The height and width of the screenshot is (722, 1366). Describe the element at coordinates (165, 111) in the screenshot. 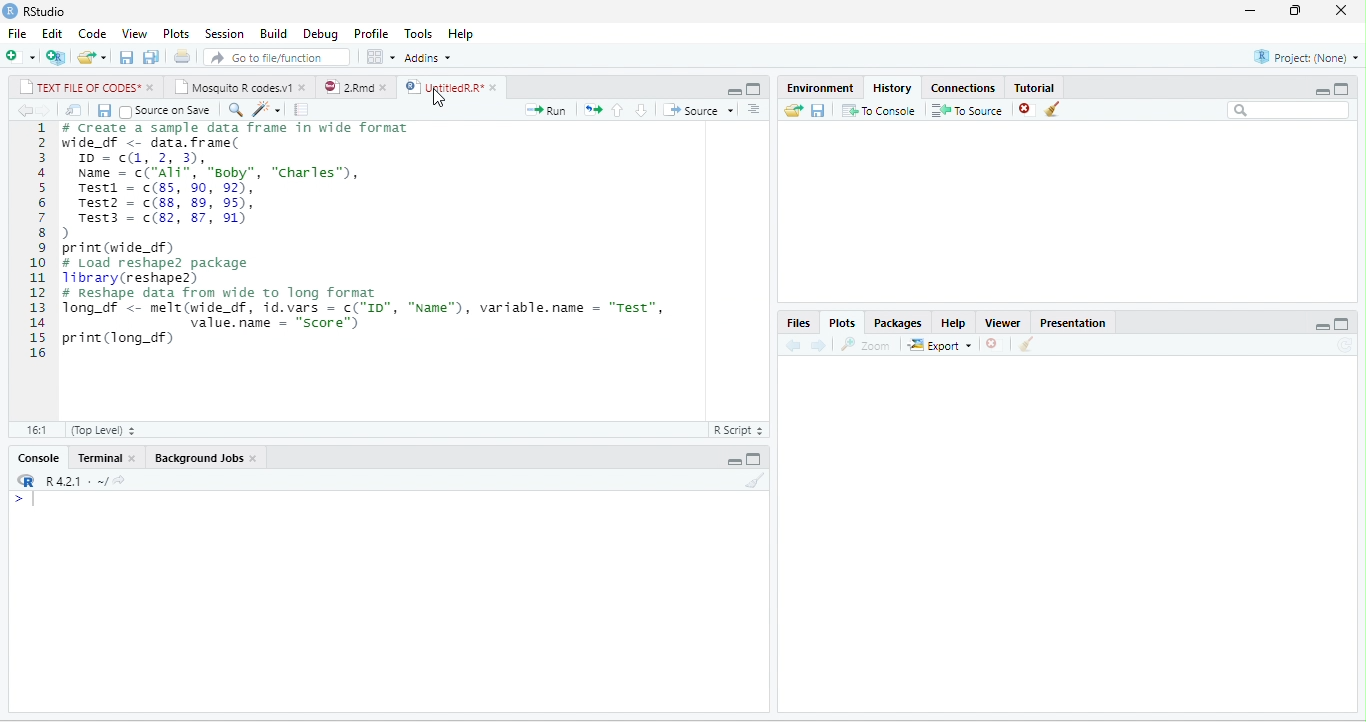

I see `Source on Save` at that location.